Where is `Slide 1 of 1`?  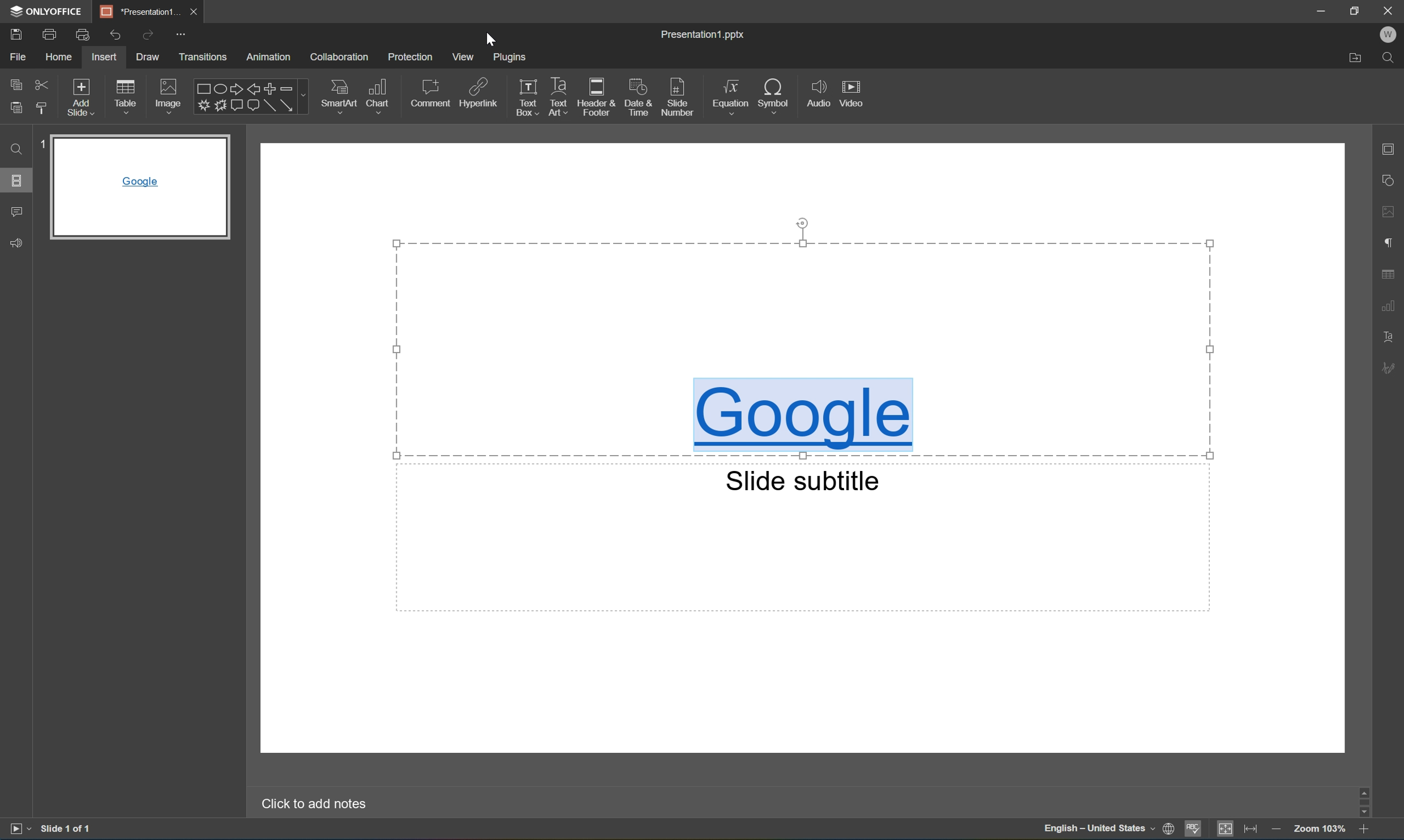 Slide 1 of 1 is located at coordinates (69, 829).